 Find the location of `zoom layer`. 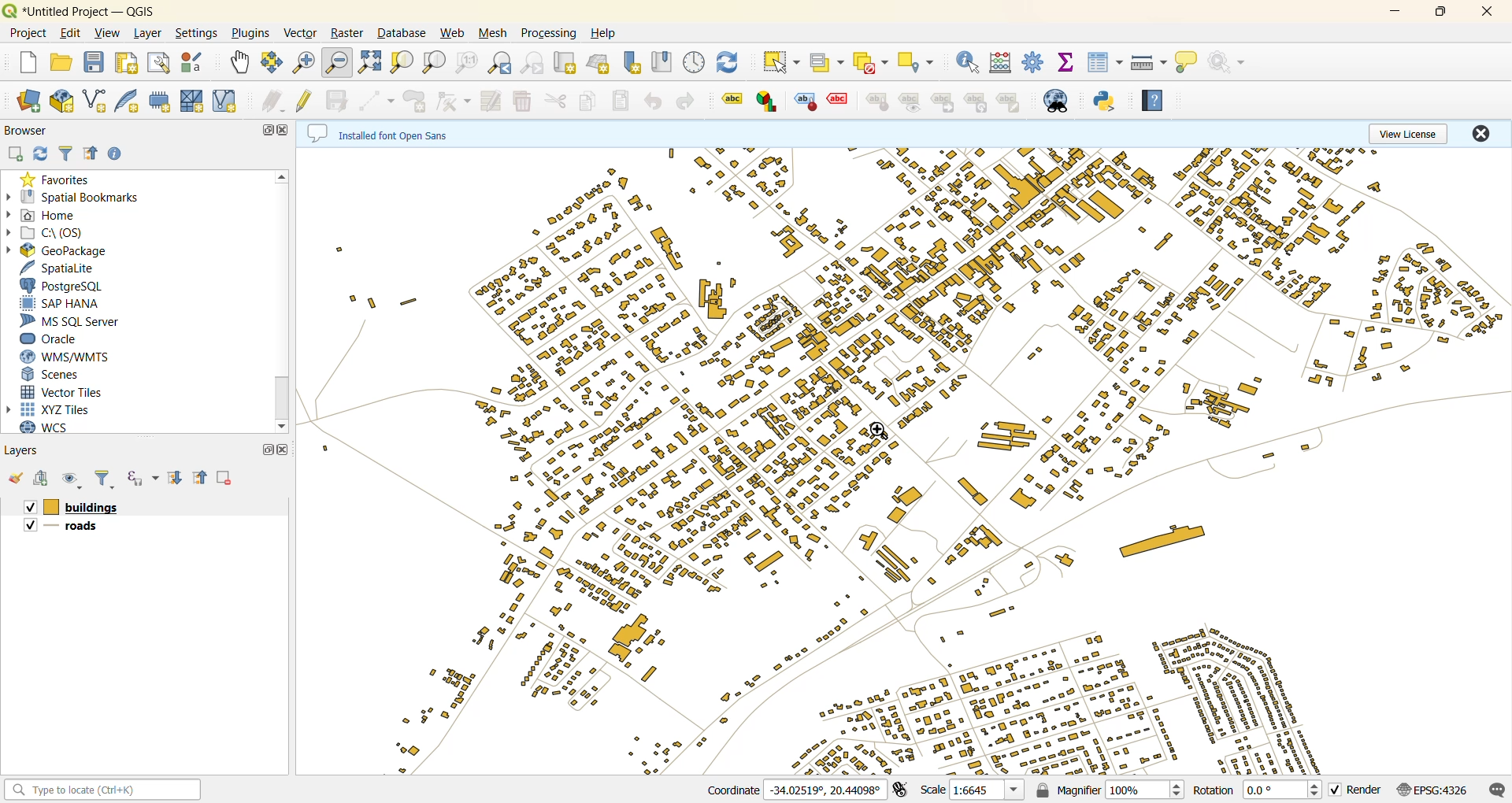

zoom layer is located at coordinates (435, 64).